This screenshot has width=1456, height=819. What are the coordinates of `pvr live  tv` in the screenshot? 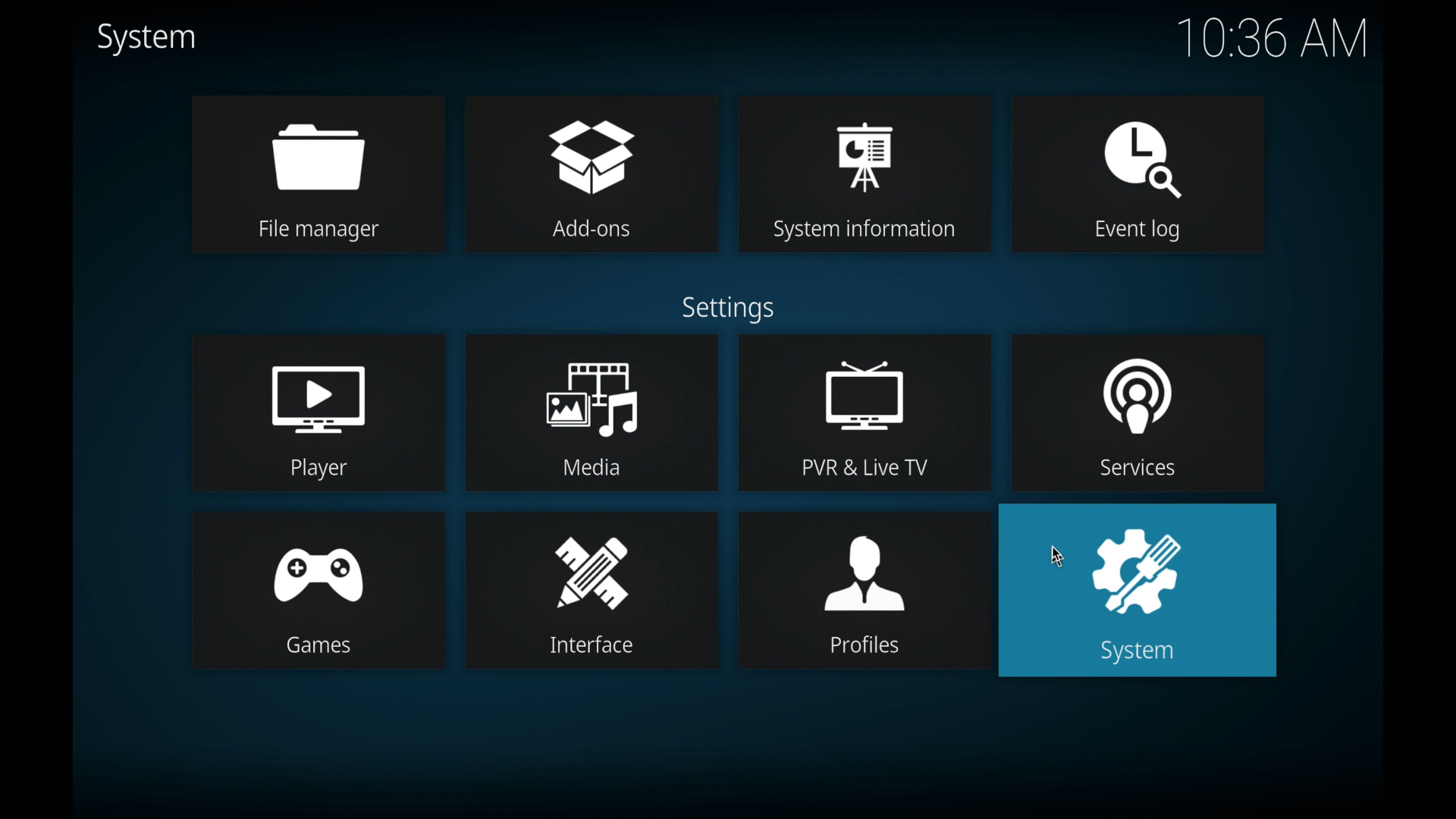 It's located at (865, 413).